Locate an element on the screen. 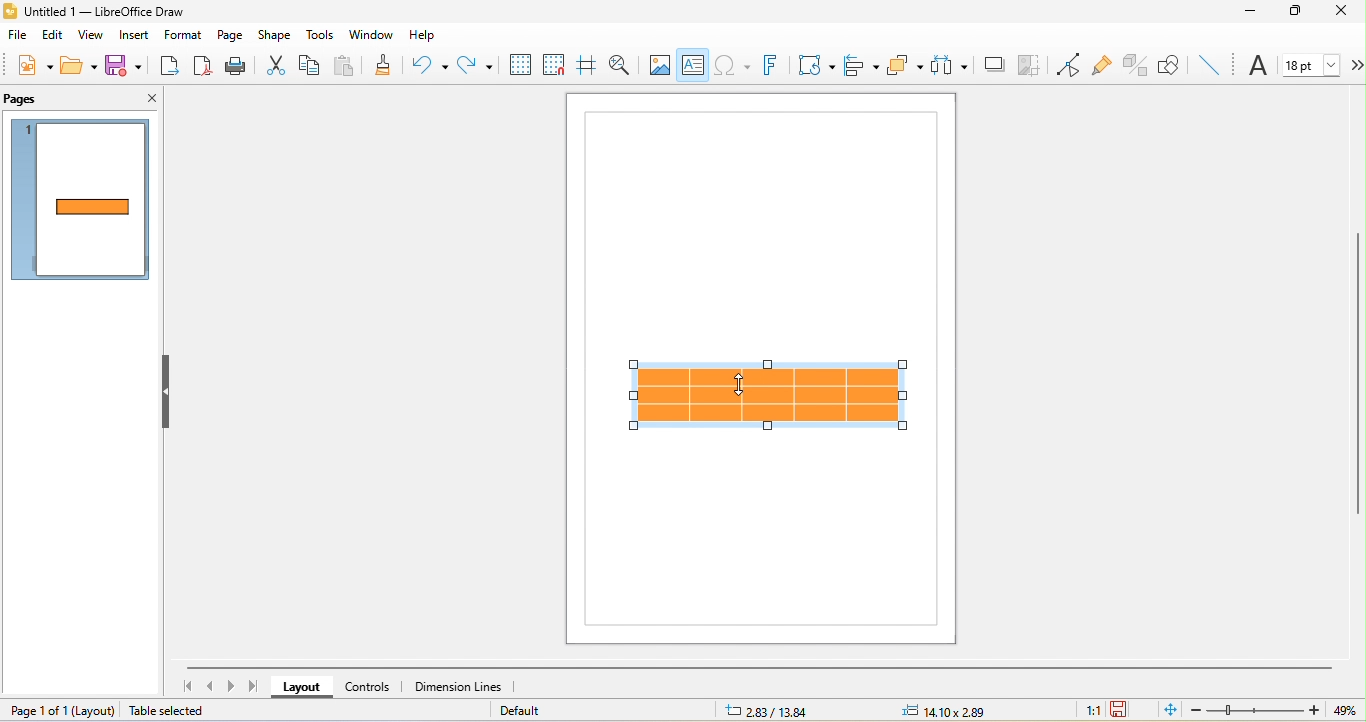 This screenshot has height=722, width=1366. redo is located at coordinates (473, 63).